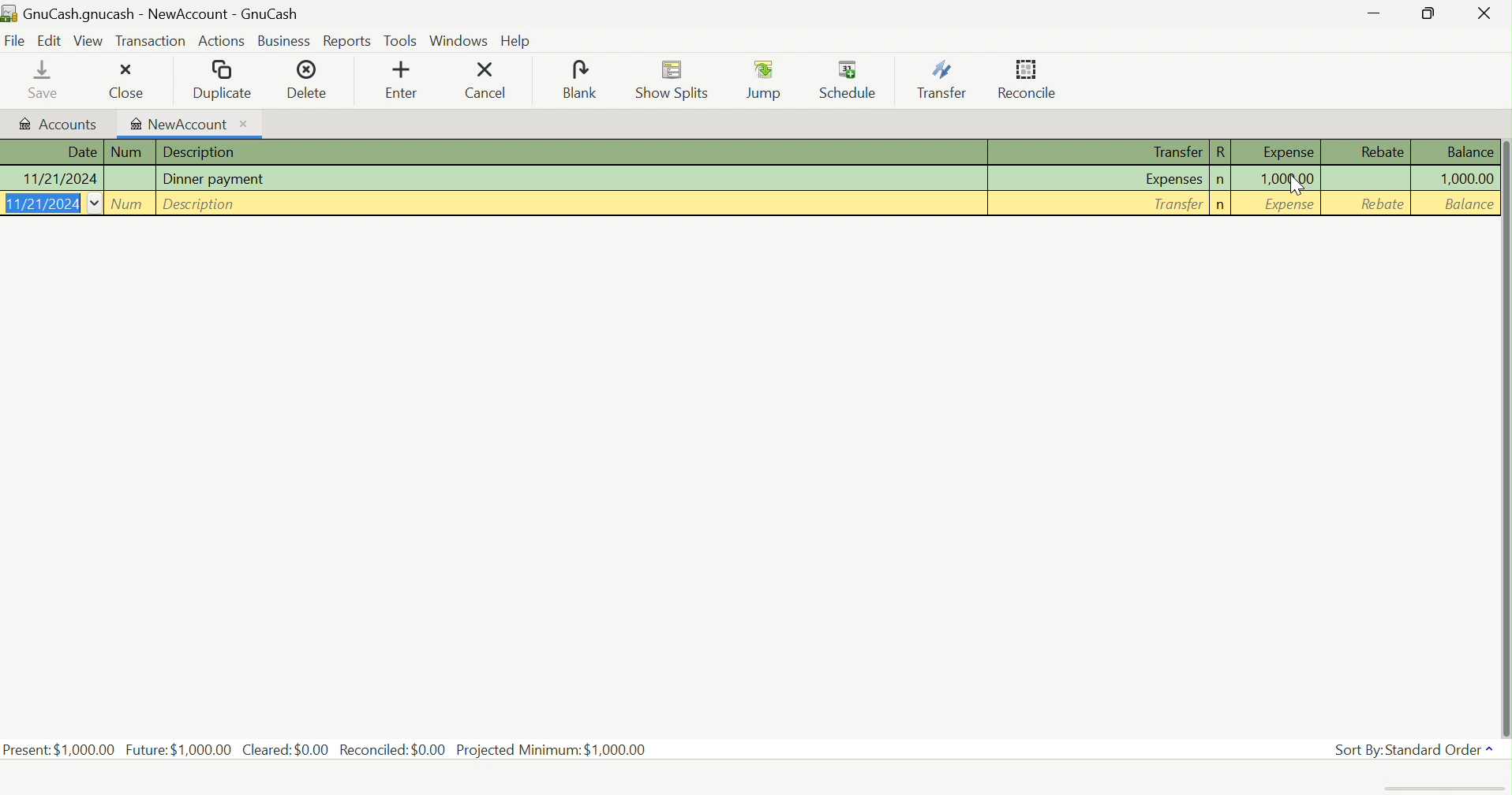  I want to click on Jump, so click(764, 79).